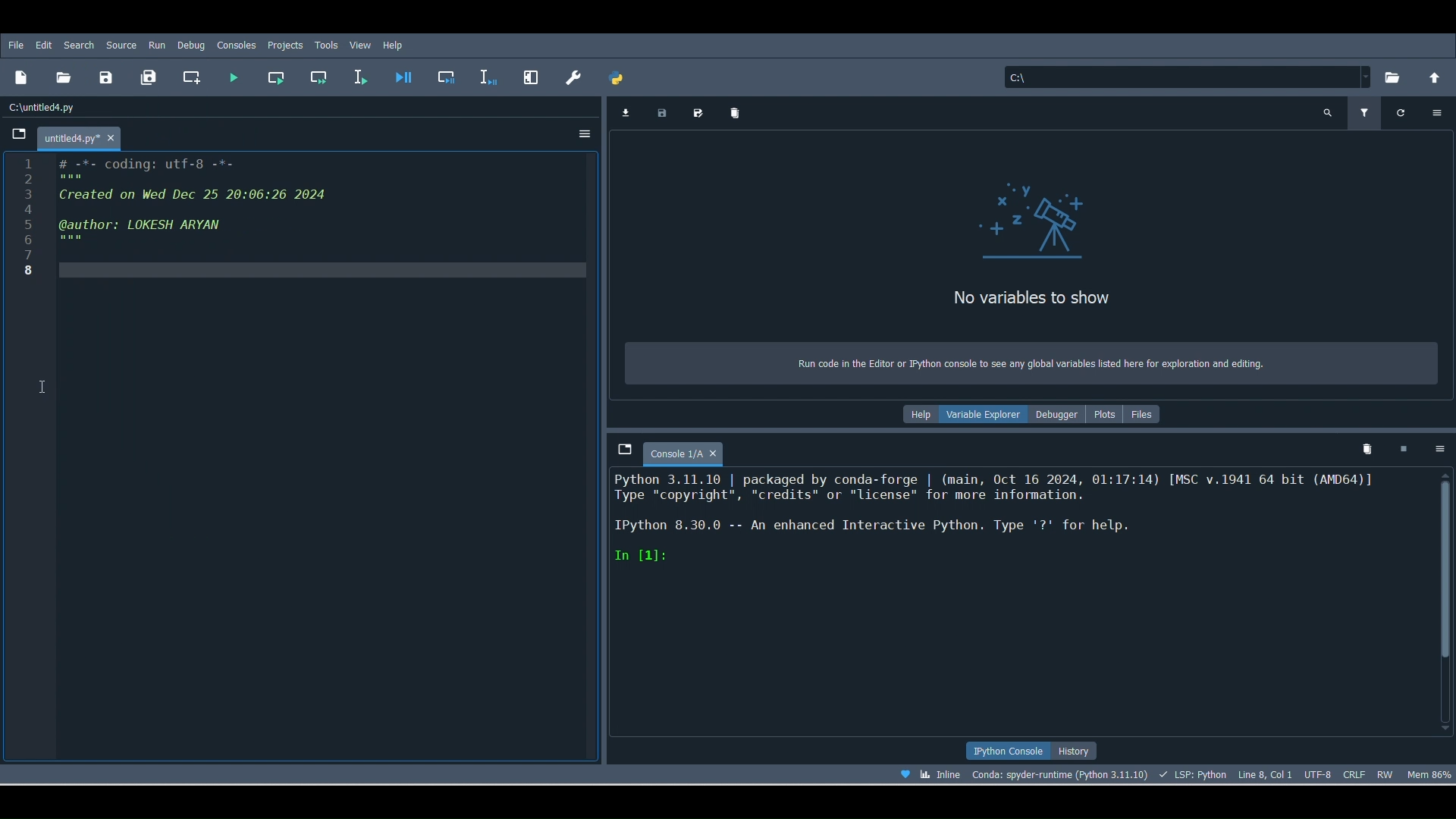  Describe the element at coordinates (692, 450) in the screenshot. I see `Console 1/A` at that location.